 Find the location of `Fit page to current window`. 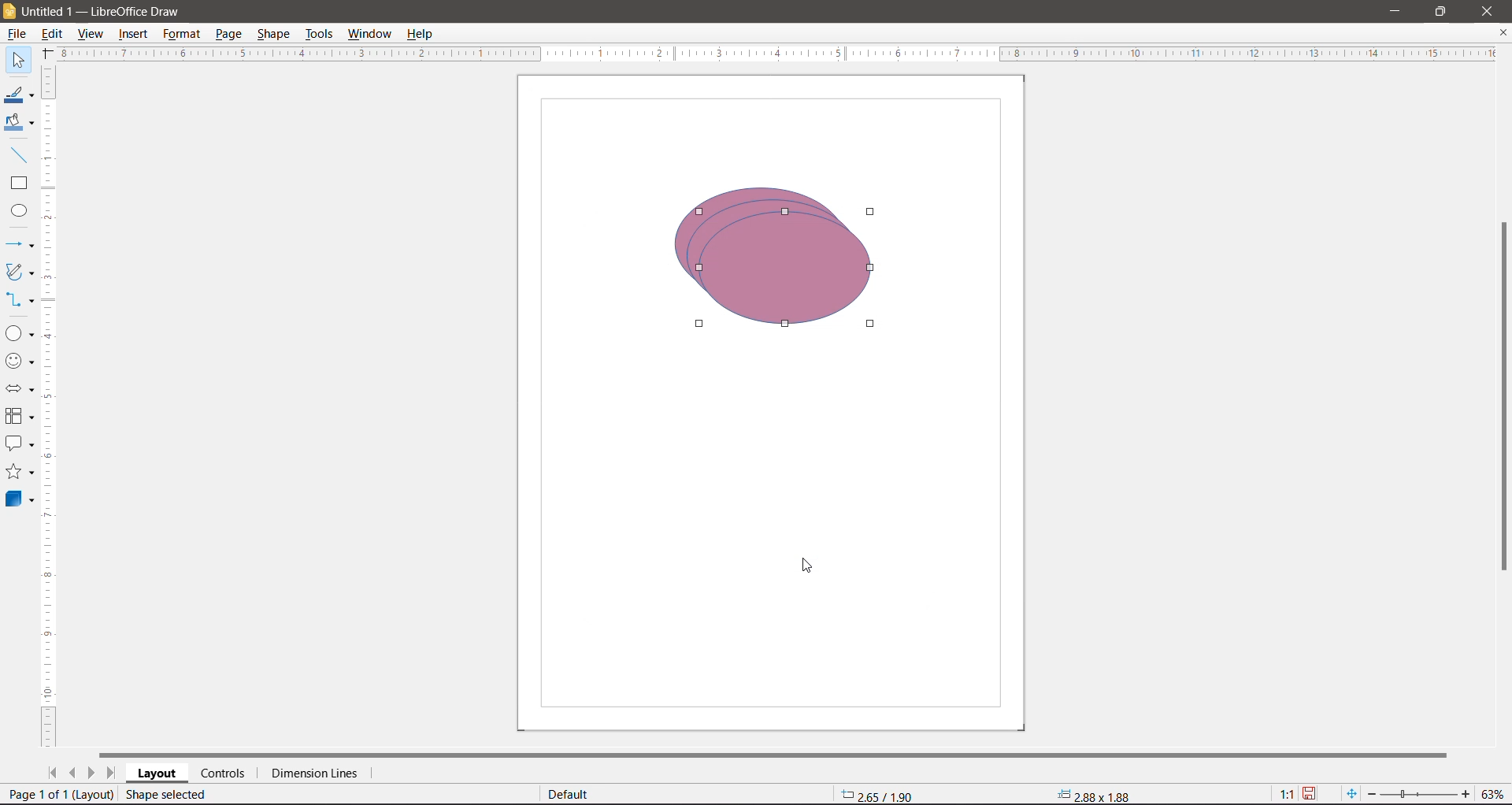

Fit page to current window is located at coordinates (1353, 794).